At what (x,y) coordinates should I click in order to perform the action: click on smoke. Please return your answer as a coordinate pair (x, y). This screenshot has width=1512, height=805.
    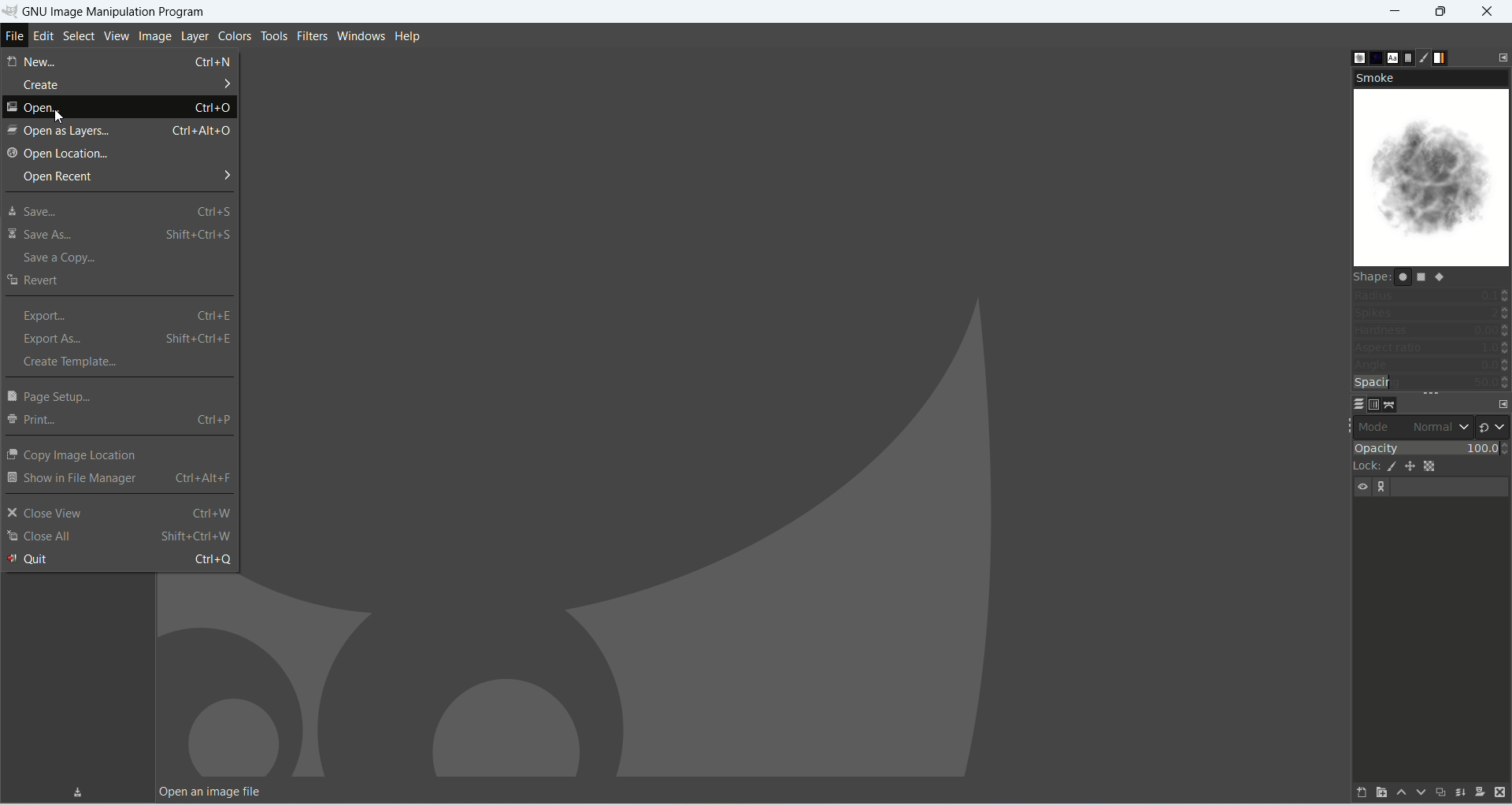
    Looking at the image, I should click on (1433, 179).